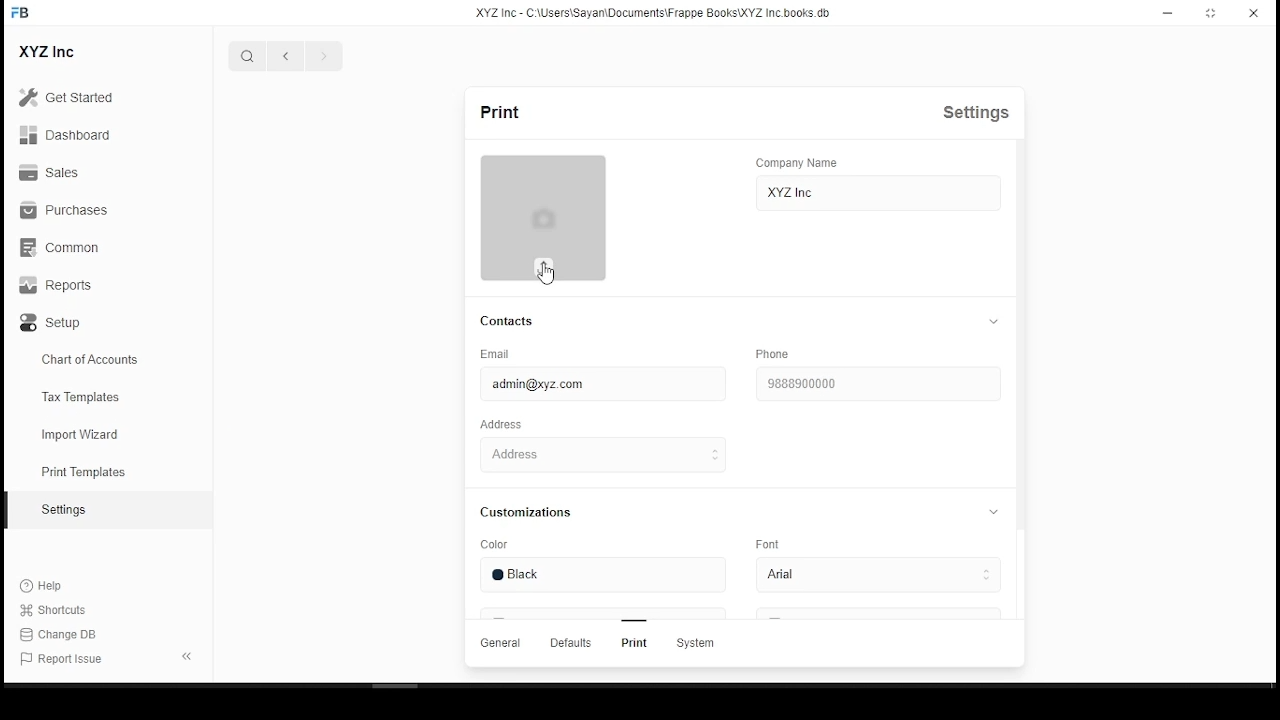 Image resolution: width=1280 pixels, height=720 pixels. Describe the element at coordinates (58, 611) in the screenshot. I see `shortcuts` at that location.